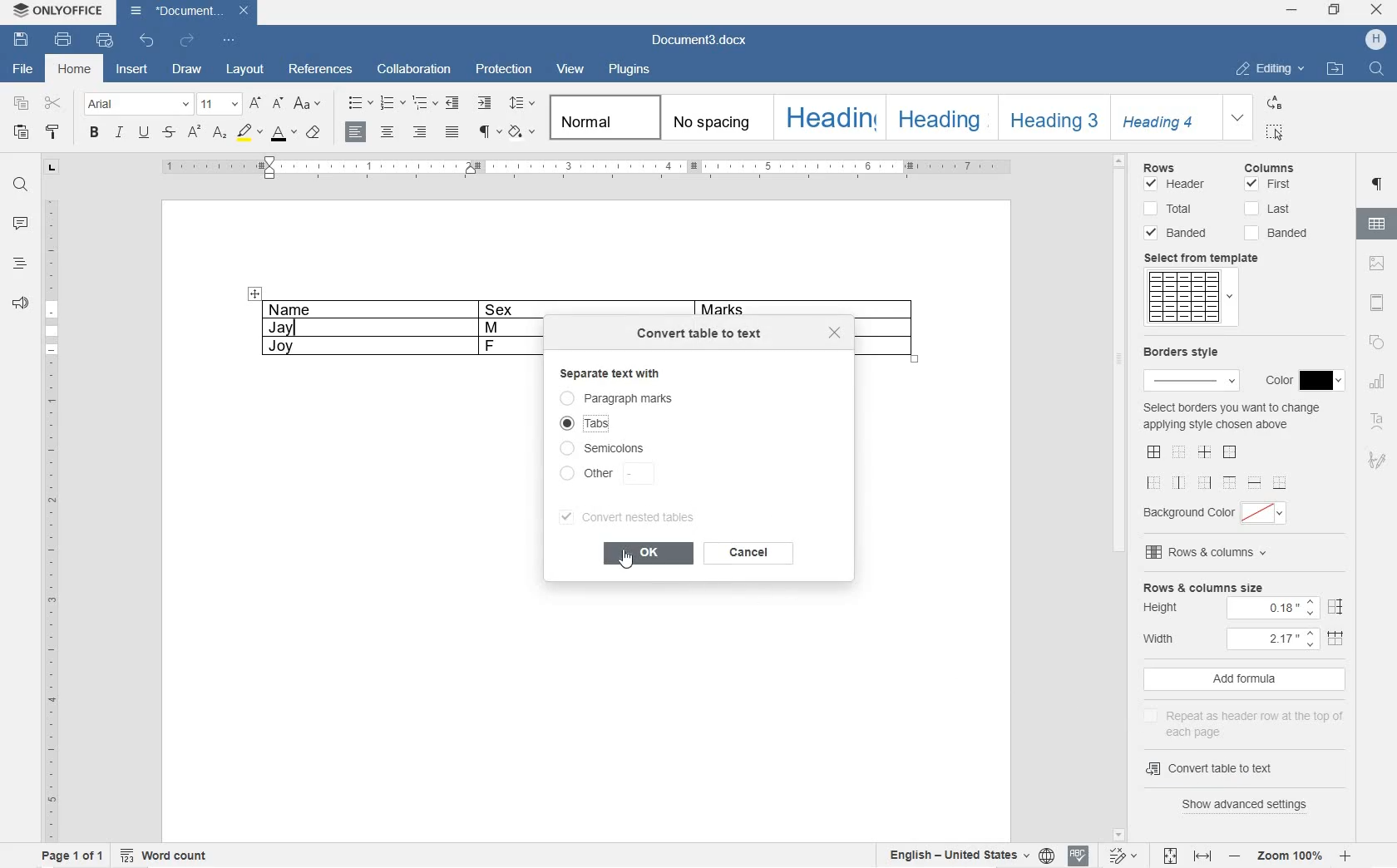  What do you see at coordinates (72, 12) in the screenshot?
I see `ONLYOFFICE` at bounding box center [72, 12].